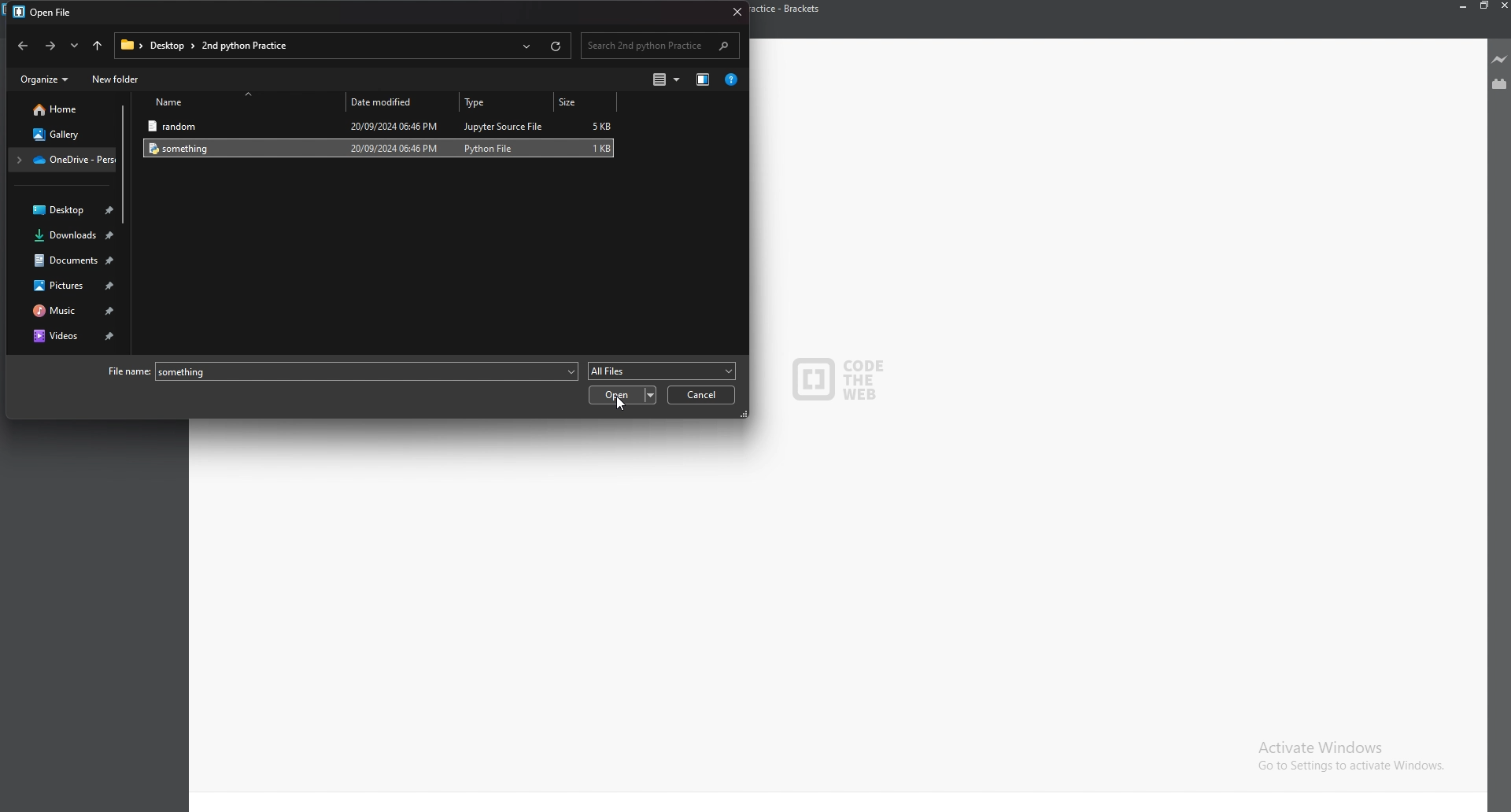  I want to click on 20/09/2024 06:46 PM, so click(392, 125).